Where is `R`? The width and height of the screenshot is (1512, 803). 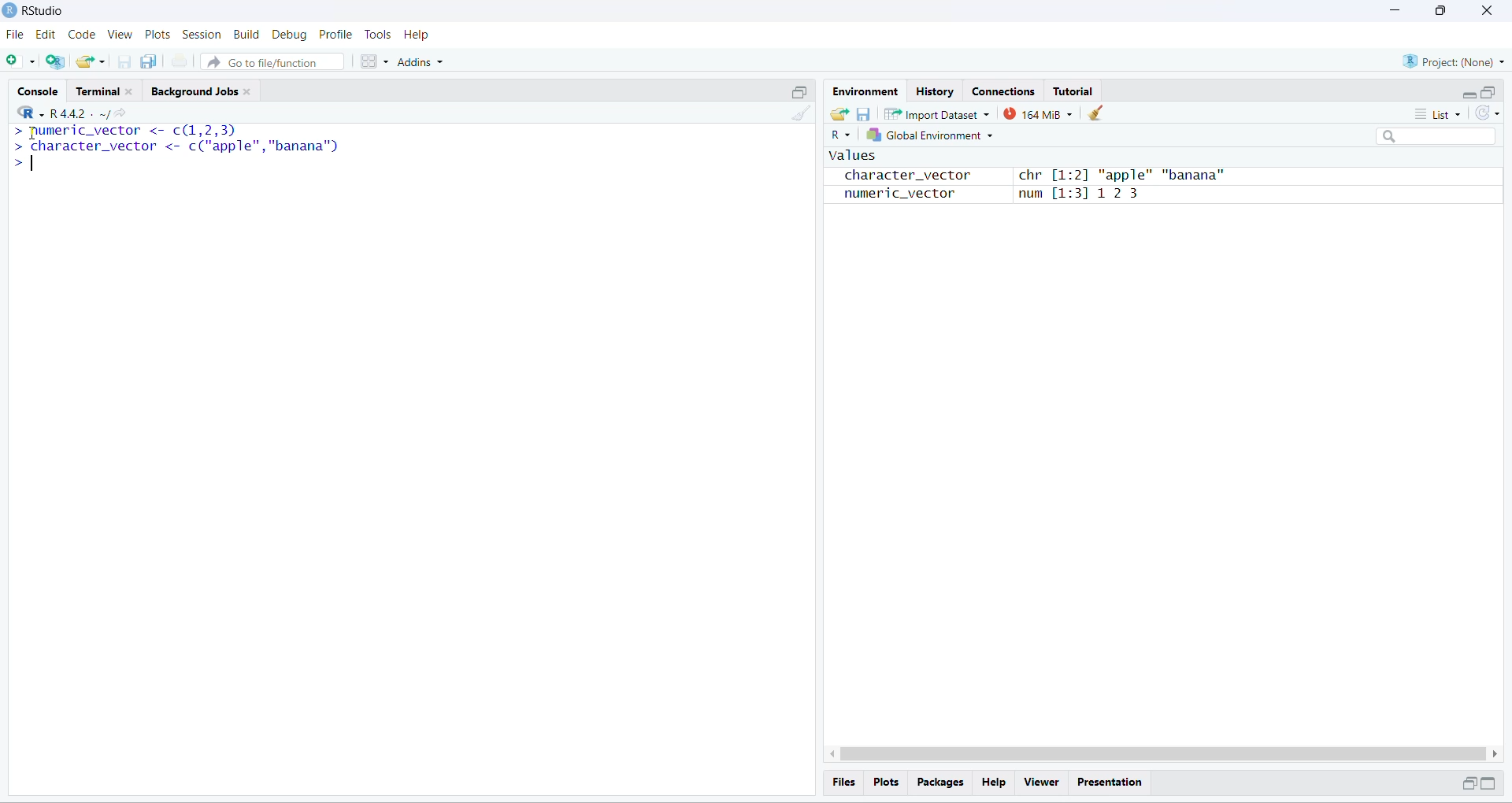
R is located at coordinates (839, 135).